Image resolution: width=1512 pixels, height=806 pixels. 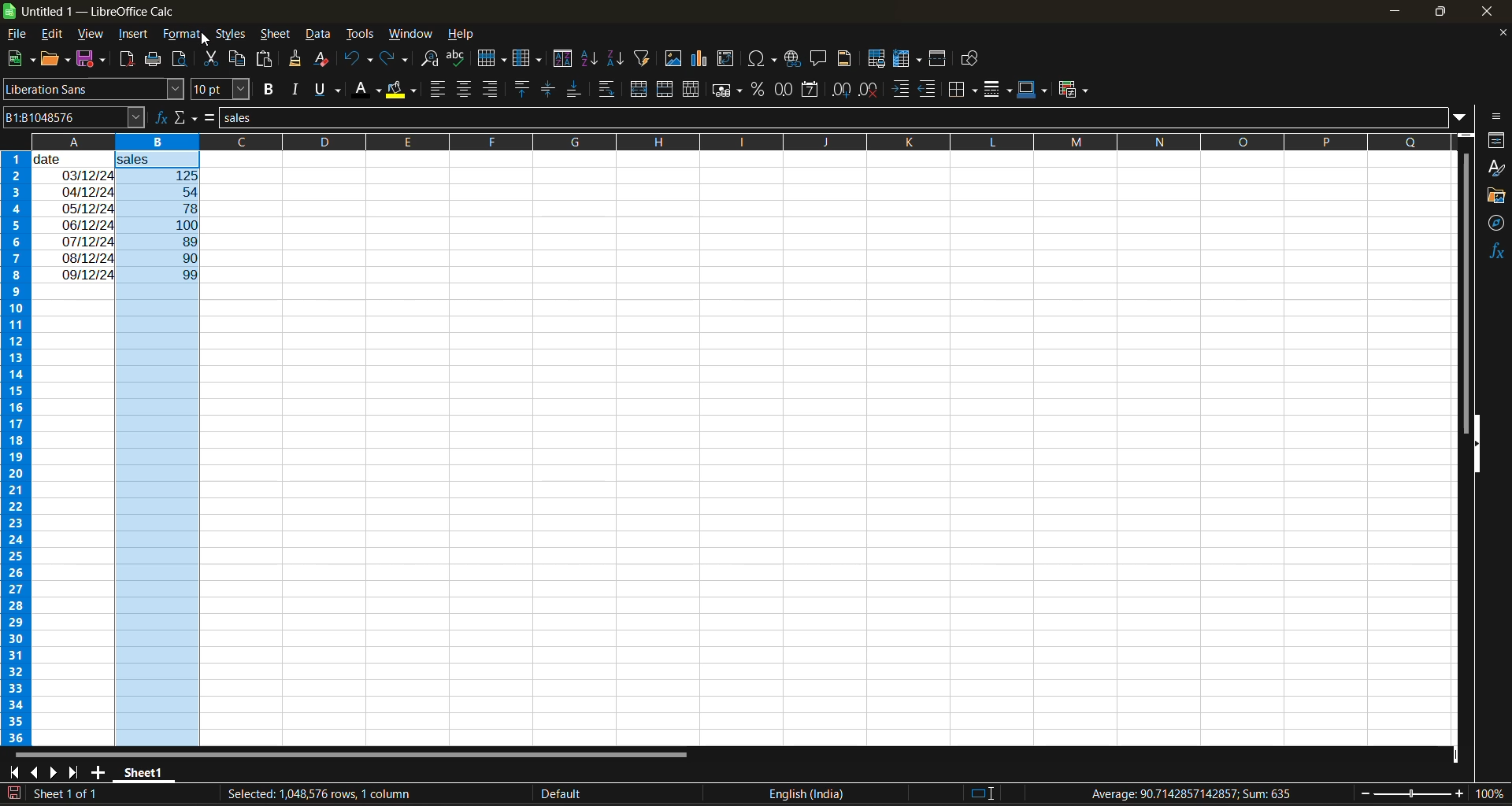 I want to click on insert hyperlink, so click(x=794, y=60).